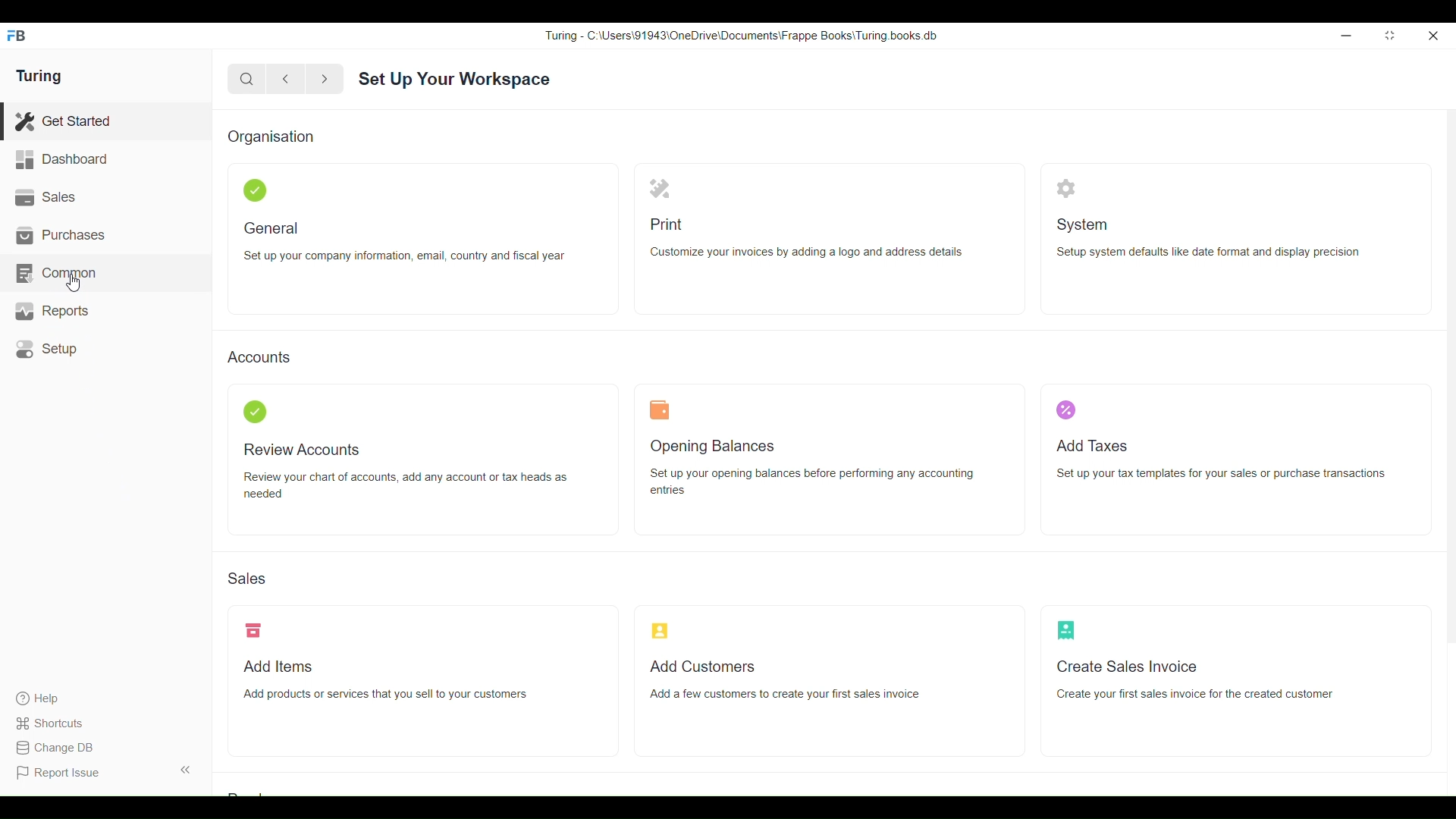 The height and width of the screenshot is (819, 1456). Describe the element at coordinates (57, 698) in the screenshot. I see `Help` at that location.